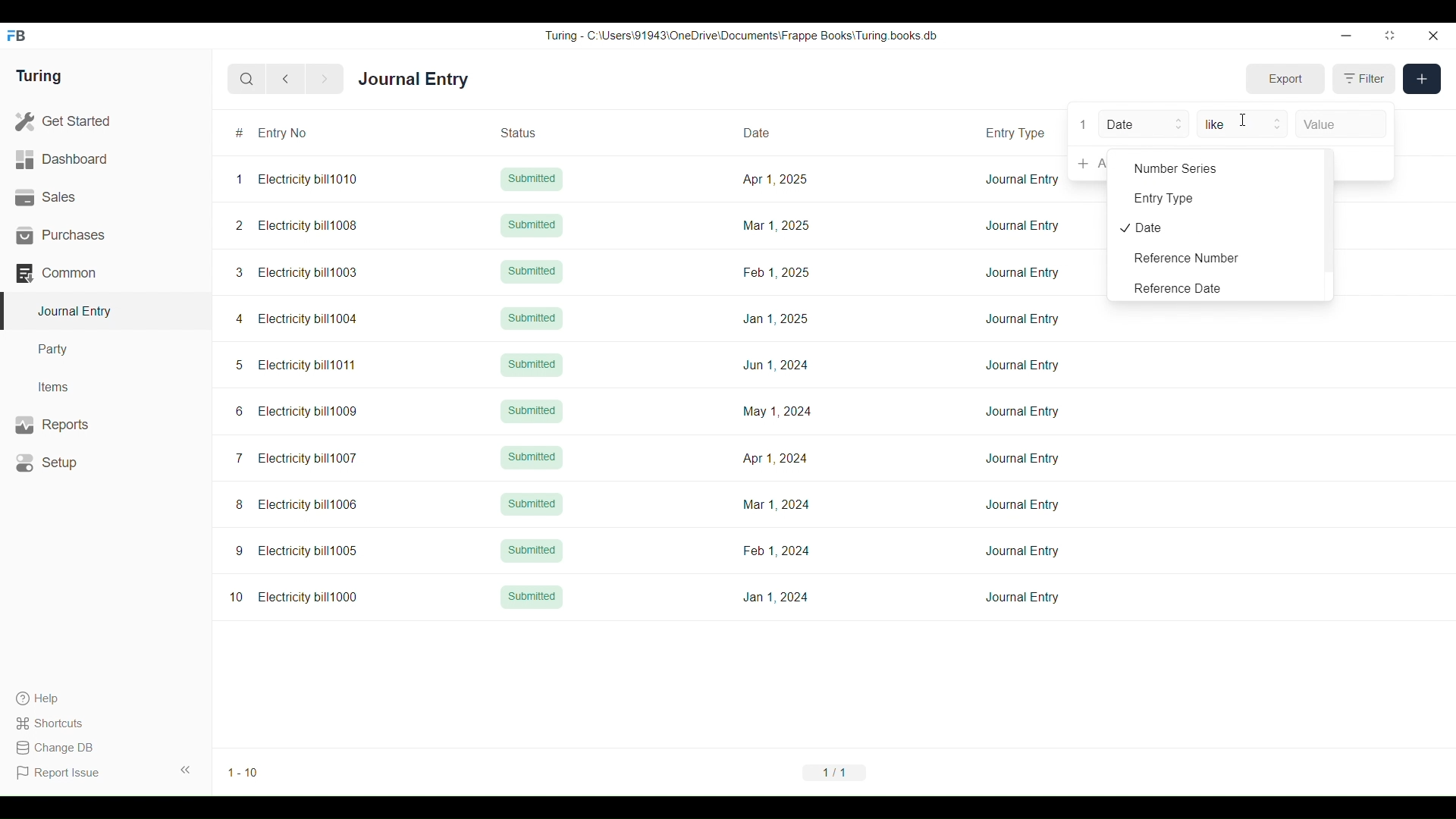 Image resolution: width=1456 pixels, height=819 pixels. What do you see at coordinates (775, 597) in the screenshot?
I see `Jan 1, 2024` at bounding box center [775, 597].